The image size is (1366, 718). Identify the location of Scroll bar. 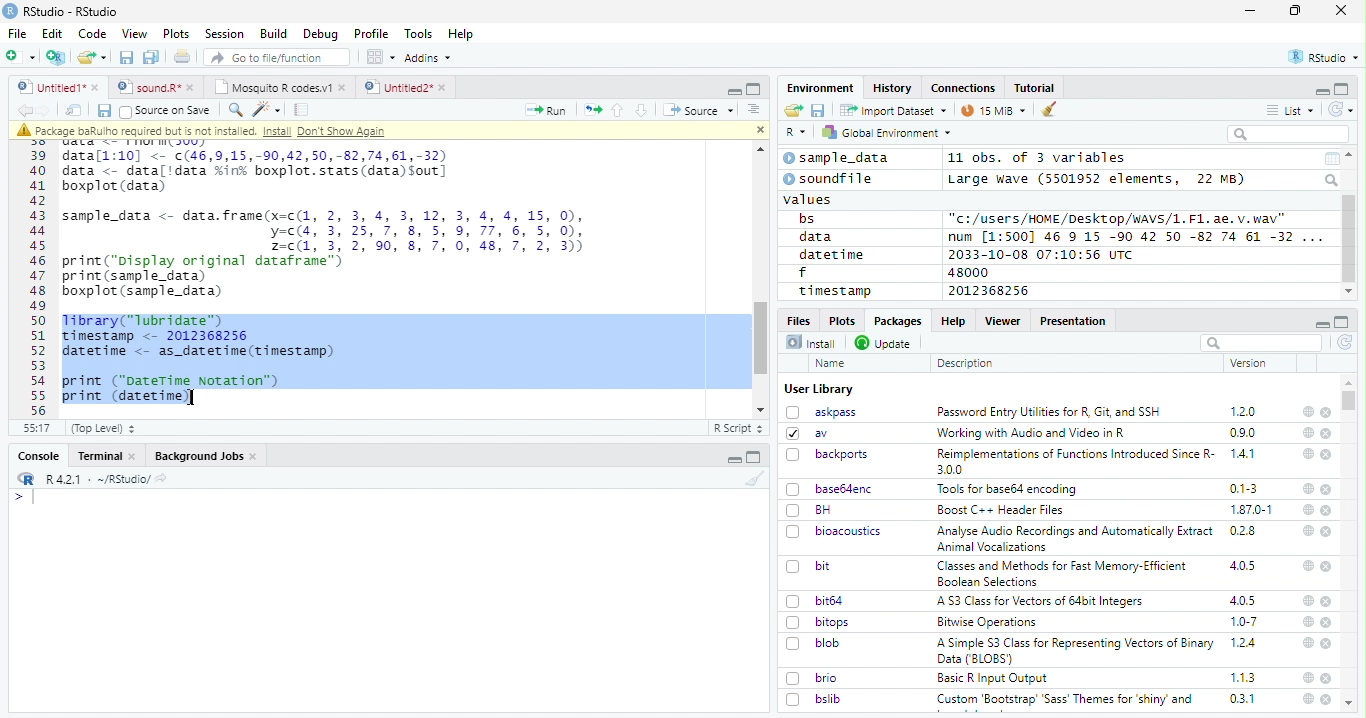
(1350, 239).